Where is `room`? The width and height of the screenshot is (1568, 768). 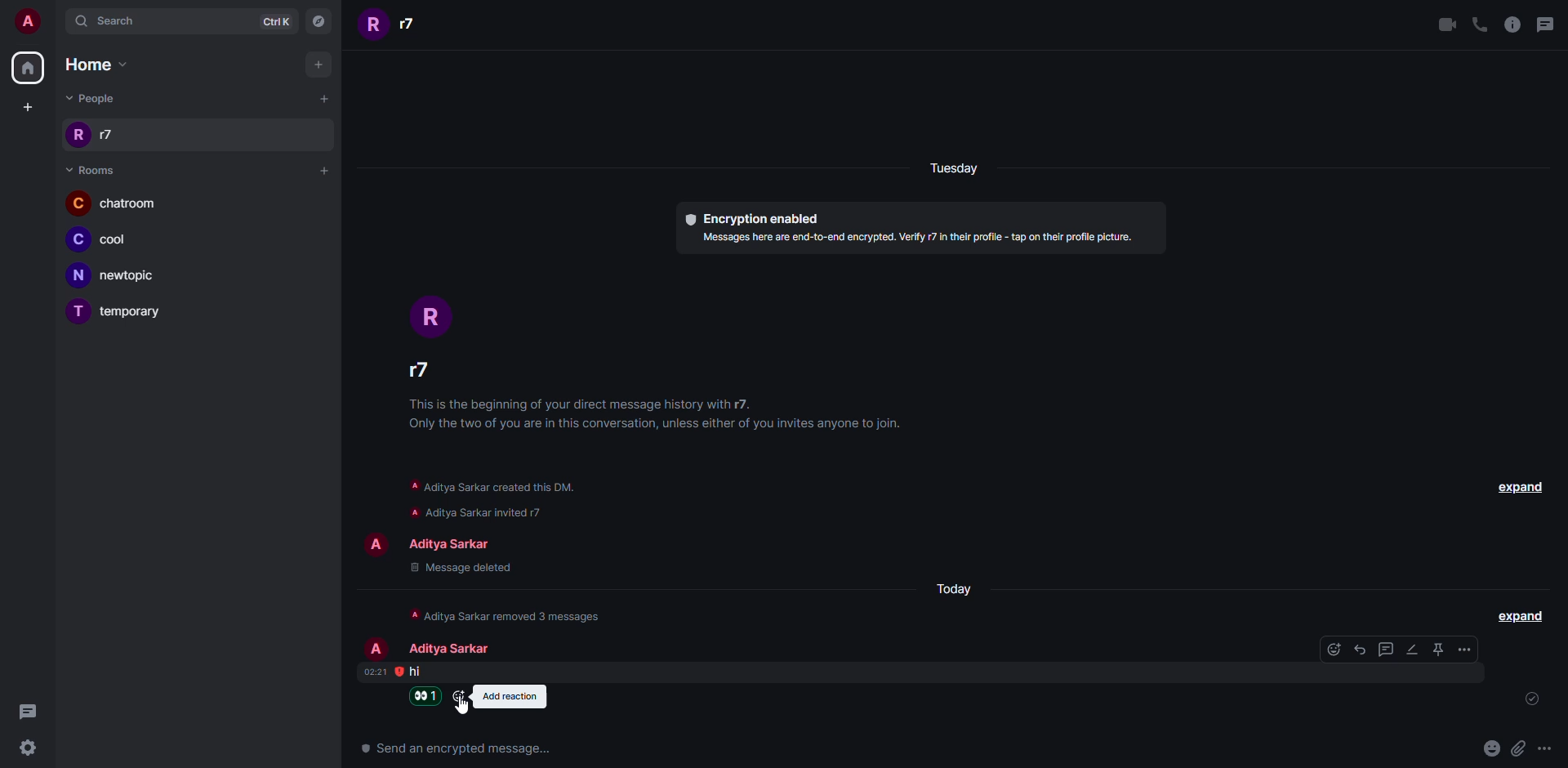
room is located at coordinates (133, 313).